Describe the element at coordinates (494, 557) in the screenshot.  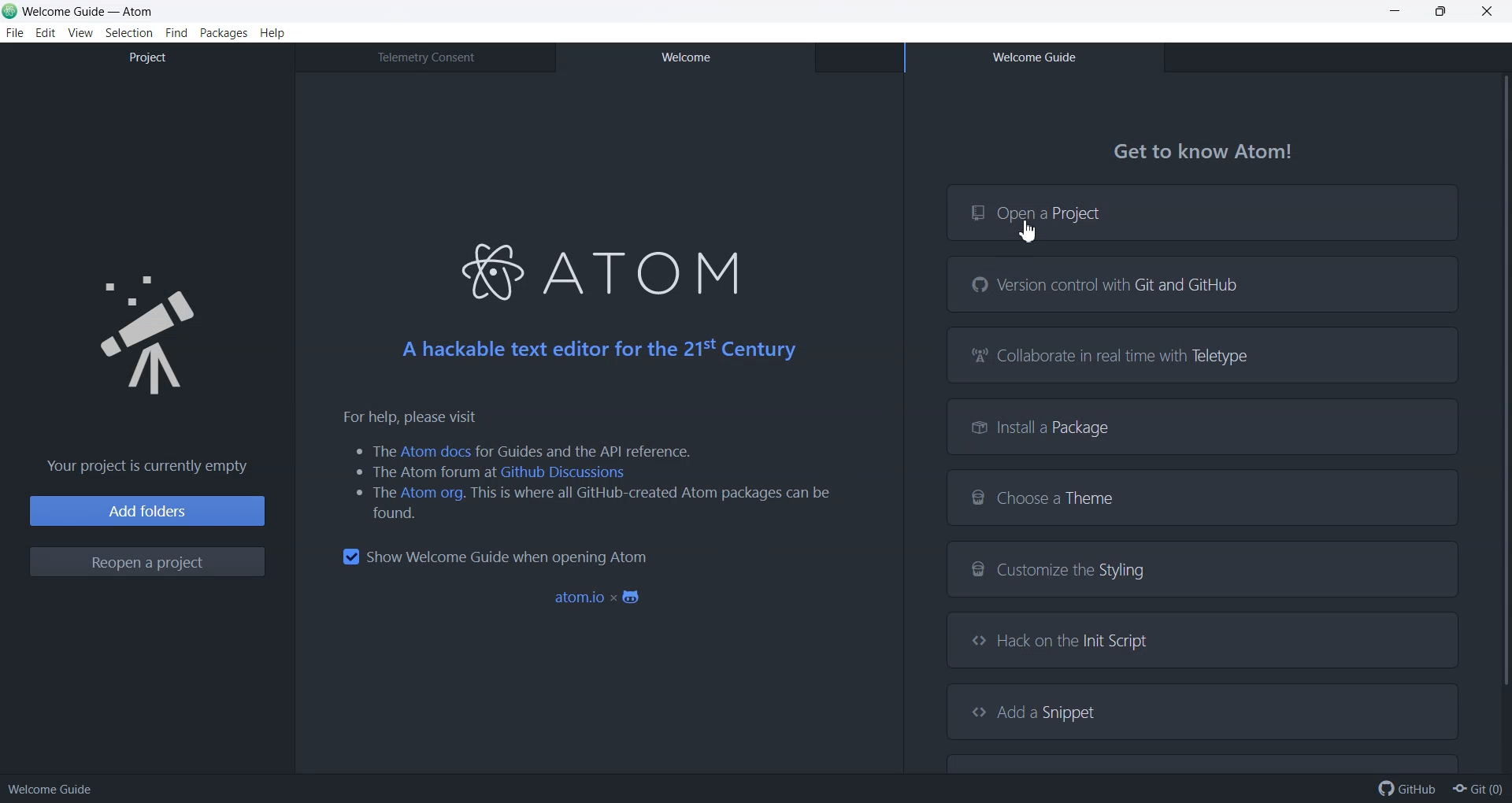
I see `Show Welcome Guide when opening Atom` at that location.